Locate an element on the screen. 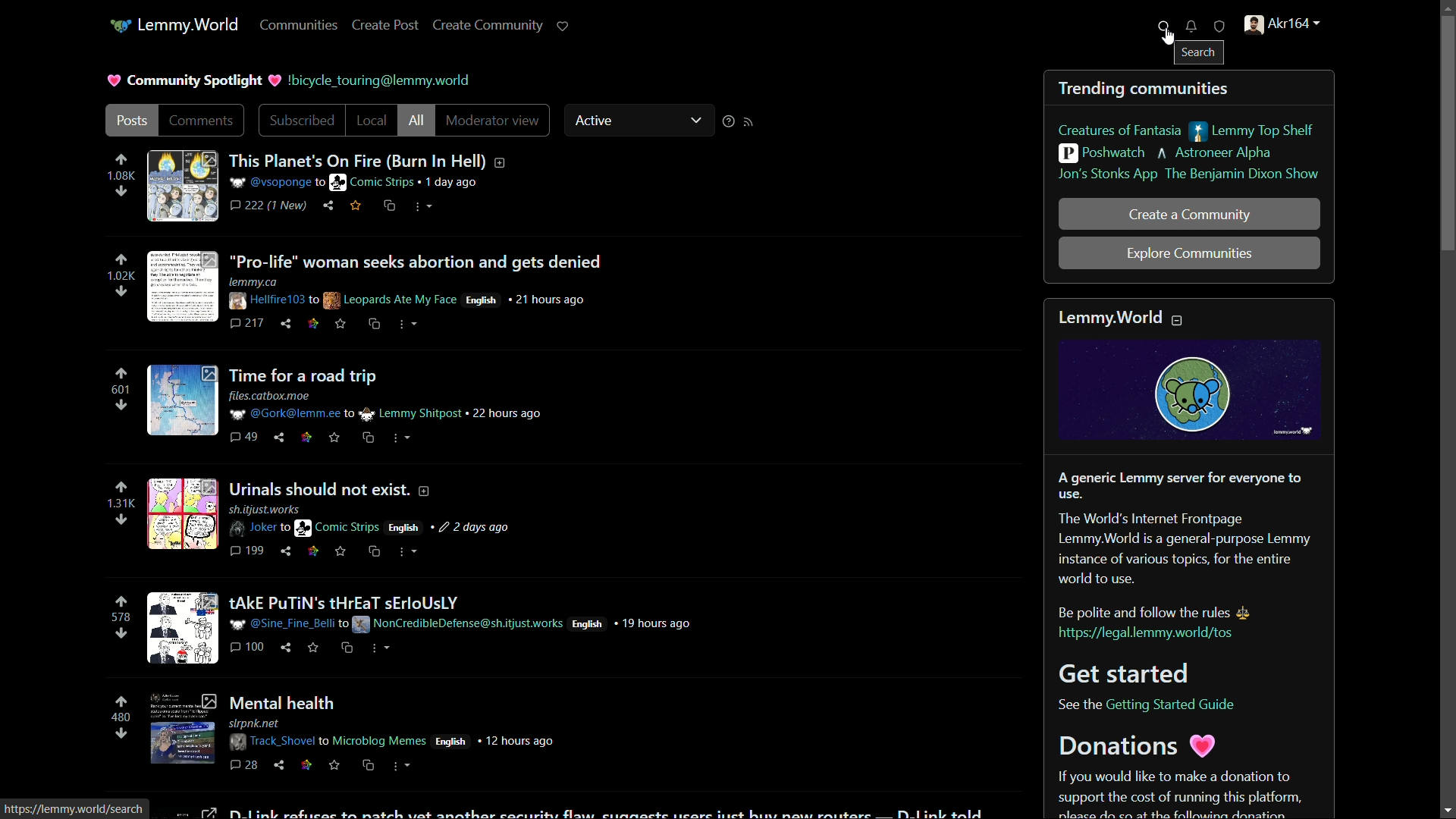 The image size is (1456, 819). post-5 is located at coordinates (419, 630).